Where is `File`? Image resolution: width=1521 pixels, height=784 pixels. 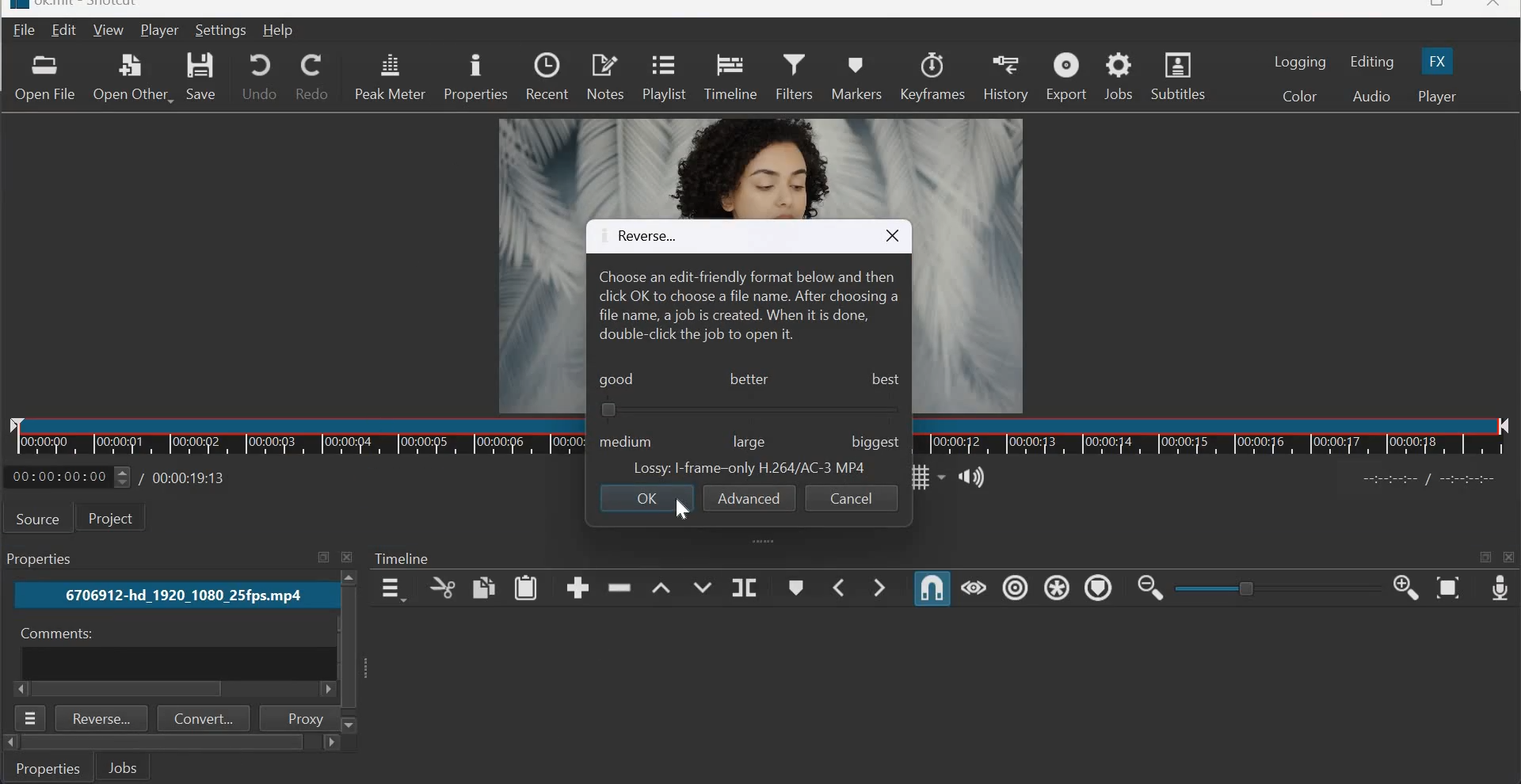 File is located at coordinates (21, 31).